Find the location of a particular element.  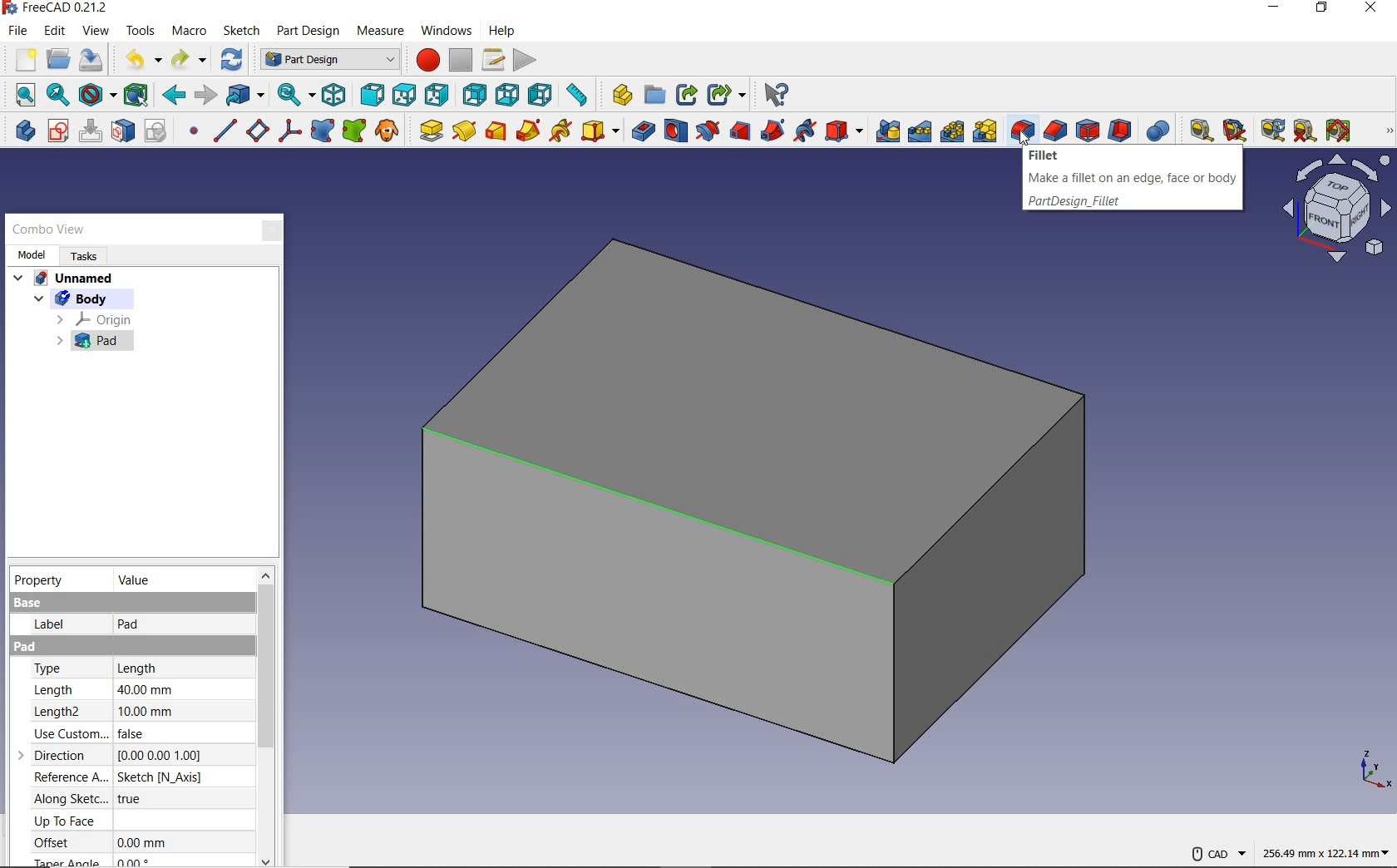

up to face is located at coordinates (65, 821).